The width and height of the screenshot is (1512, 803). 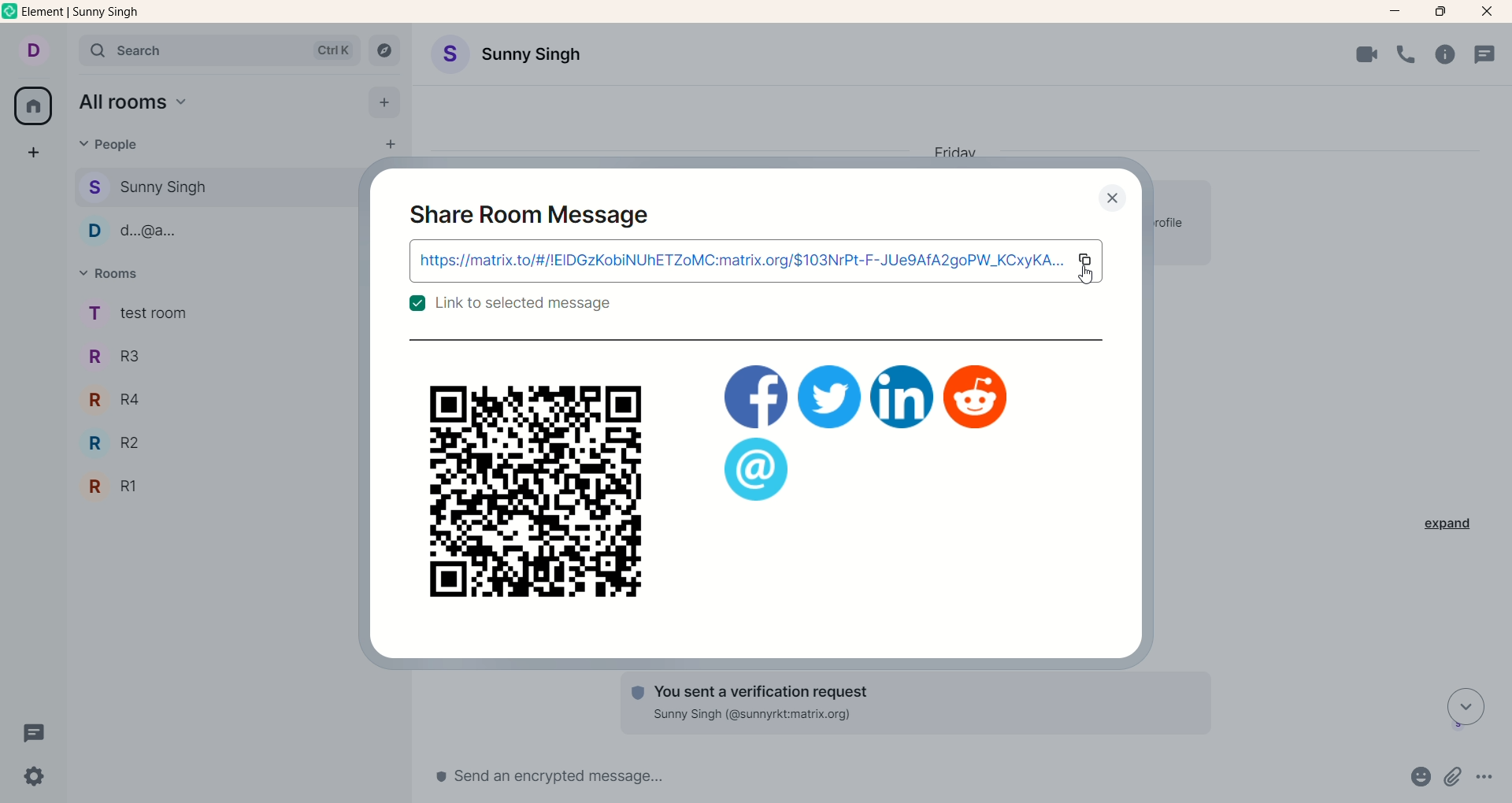 I want to click on threads, so click(x=1492, y=54).